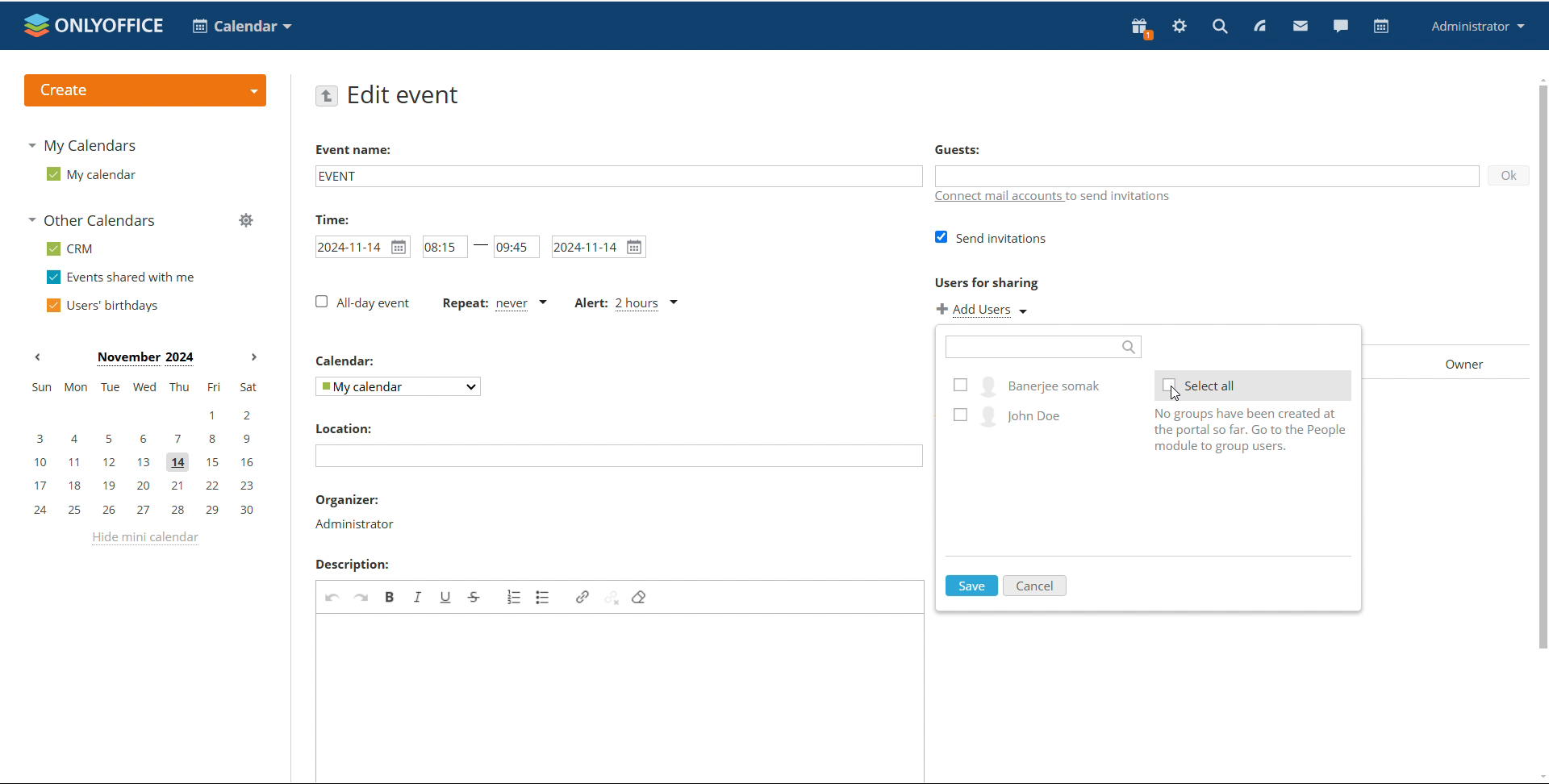 This screenshot has height=784, width=1549. I want to click on Location, so click(348, 427).